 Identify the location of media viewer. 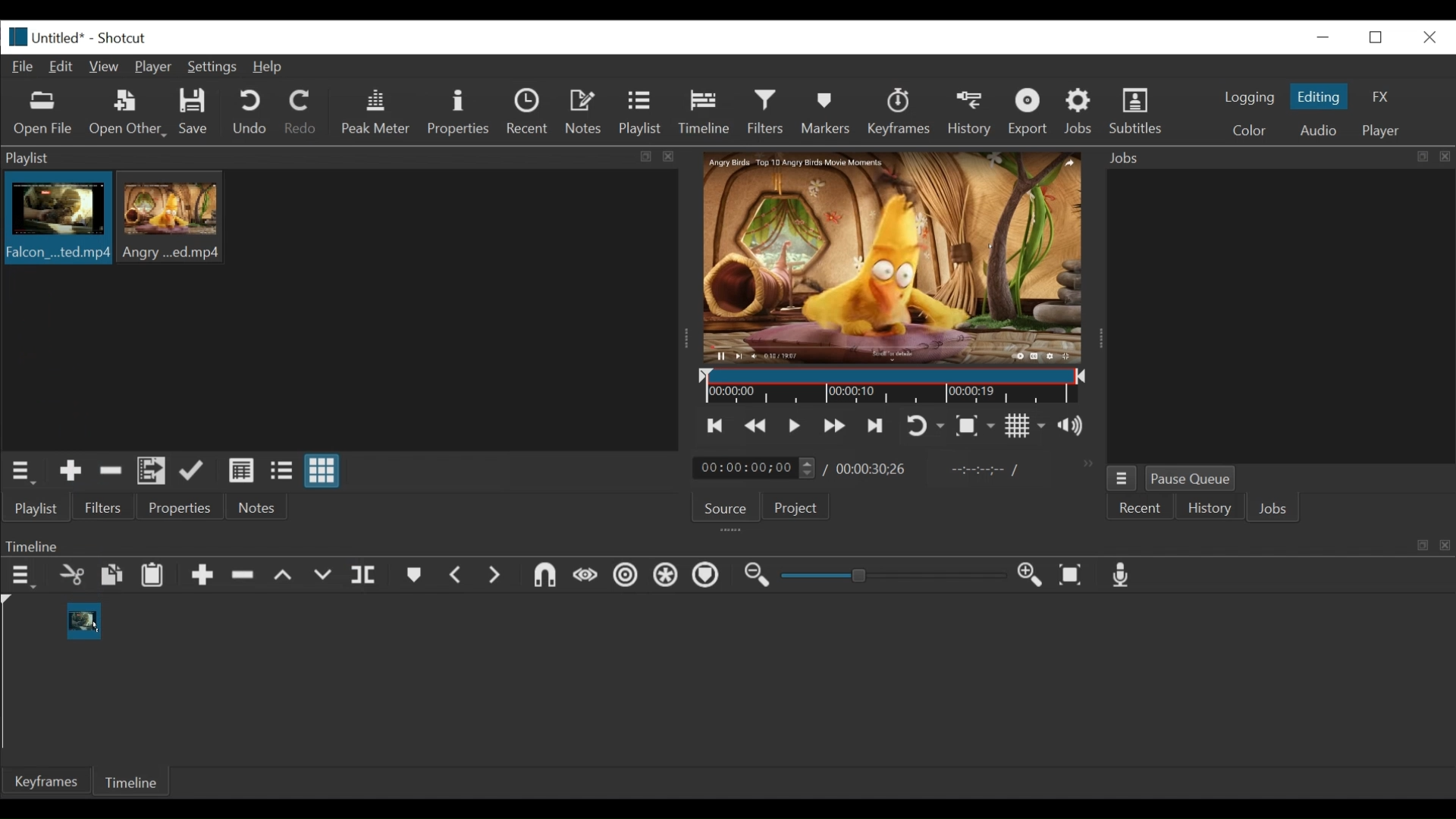
(890, 257).